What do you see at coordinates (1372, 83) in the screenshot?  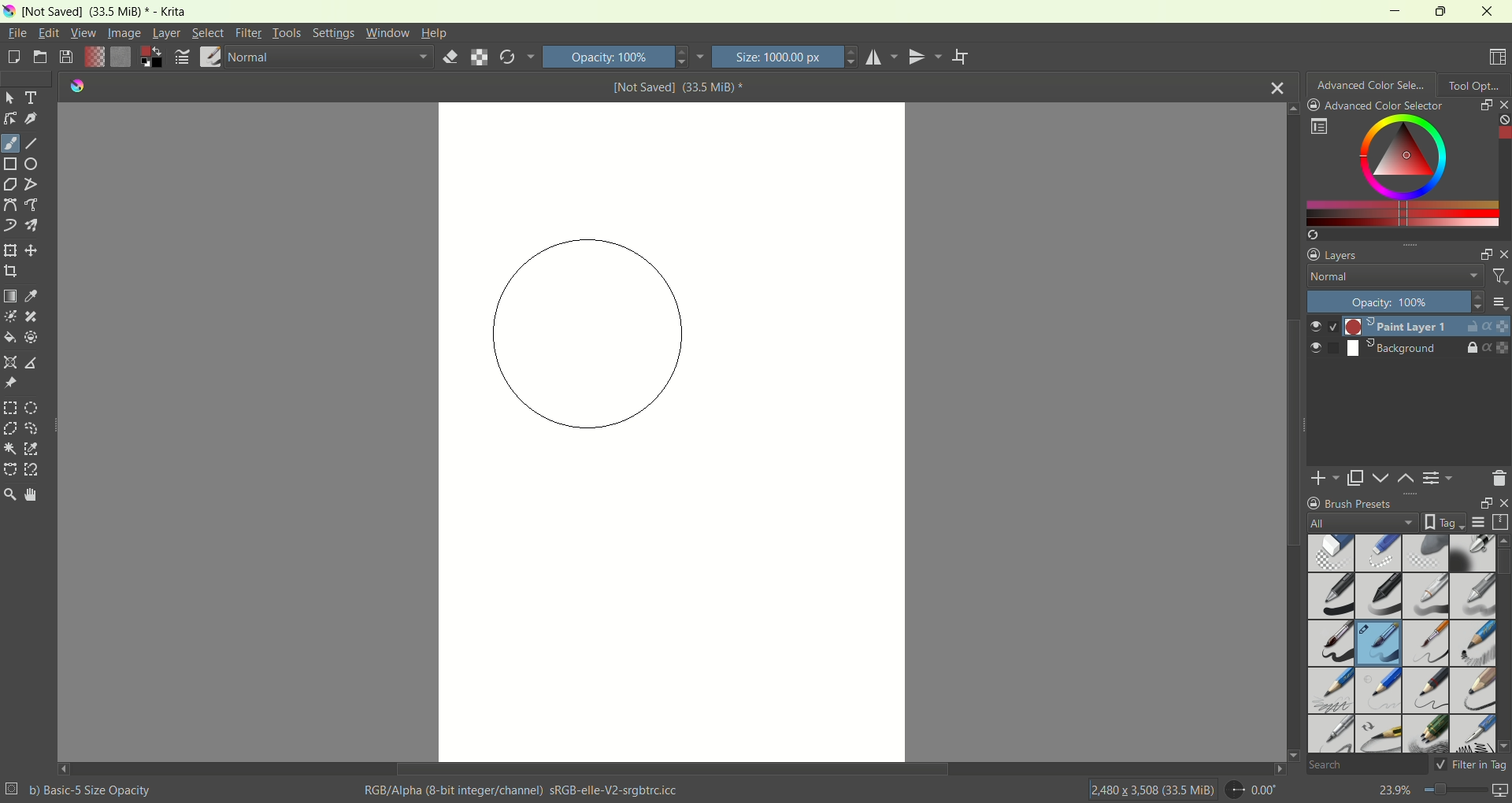 I see `advanced color selection` at bounding box center [1372, 83].